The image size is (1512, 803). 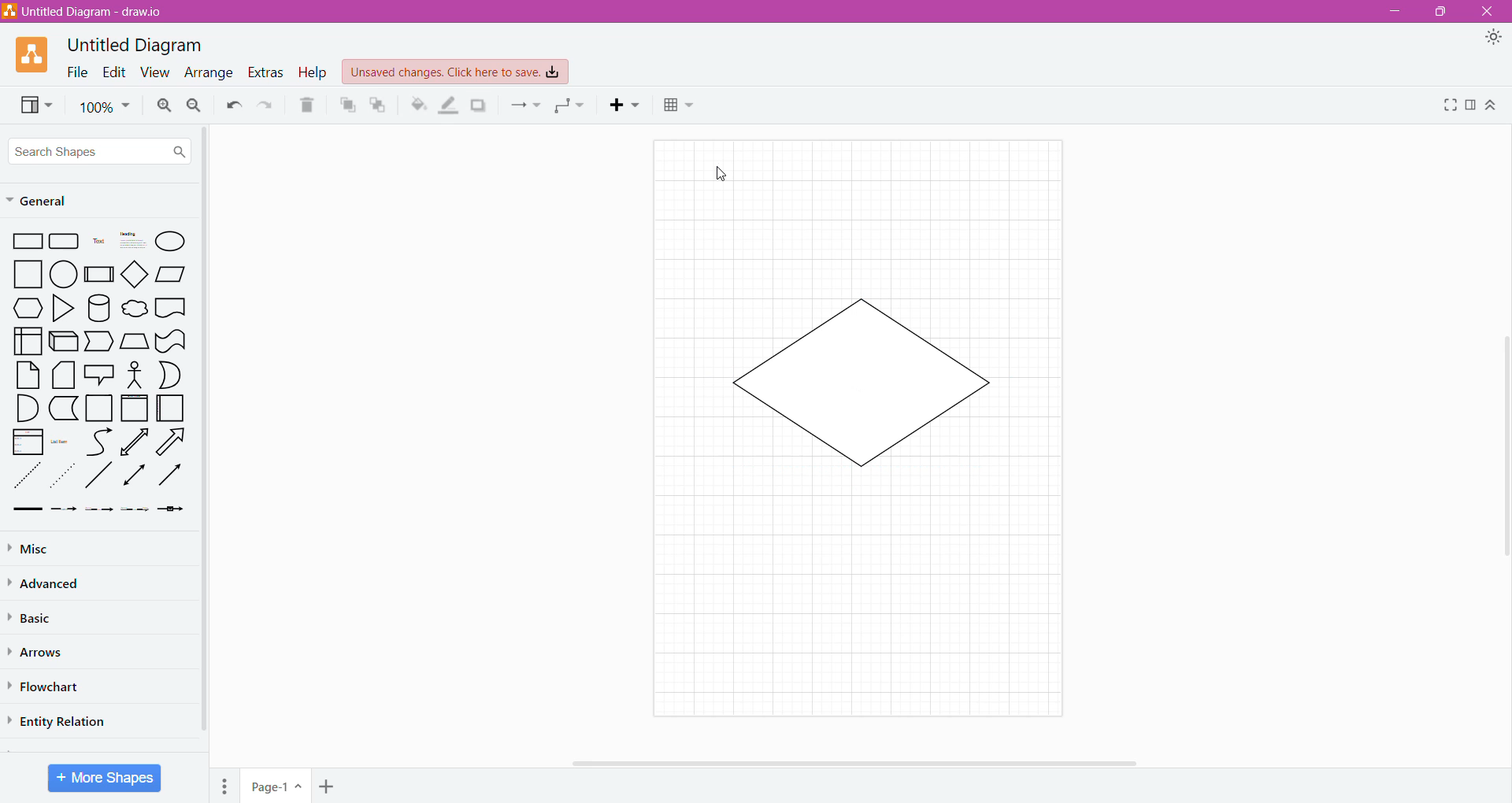 What do you see at coordinates (267, 105) in the screenshot?
I see `Redo` at bounding box center [267, 105].